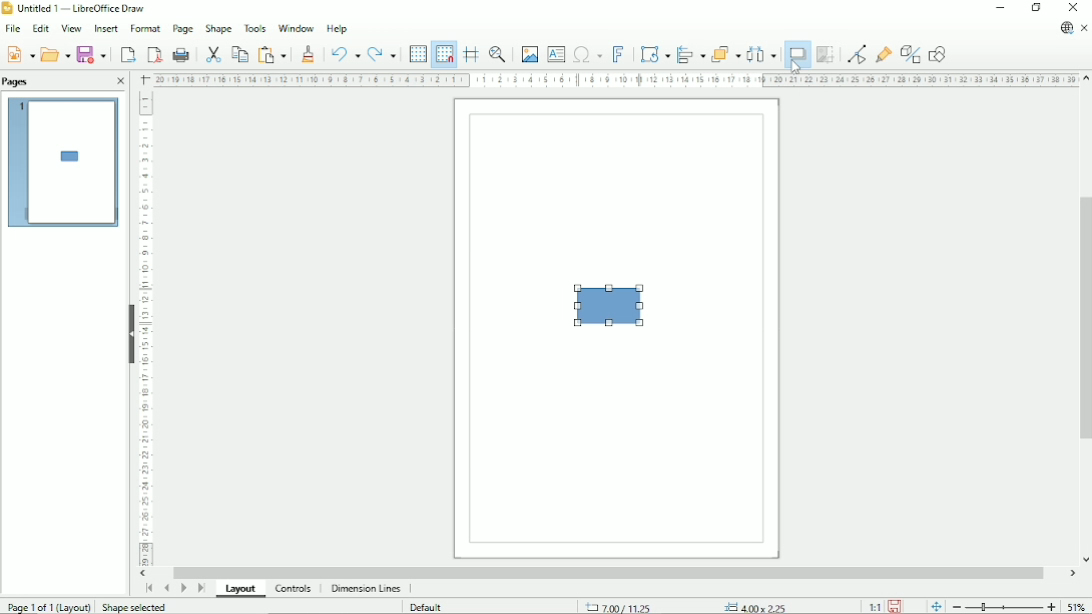 Image resolution: width=1092 pixels, height=614 pixels. What do you see at coordinates (106, 28) in the screenshot?
I see `Insert` at bounding box center [106, 28].